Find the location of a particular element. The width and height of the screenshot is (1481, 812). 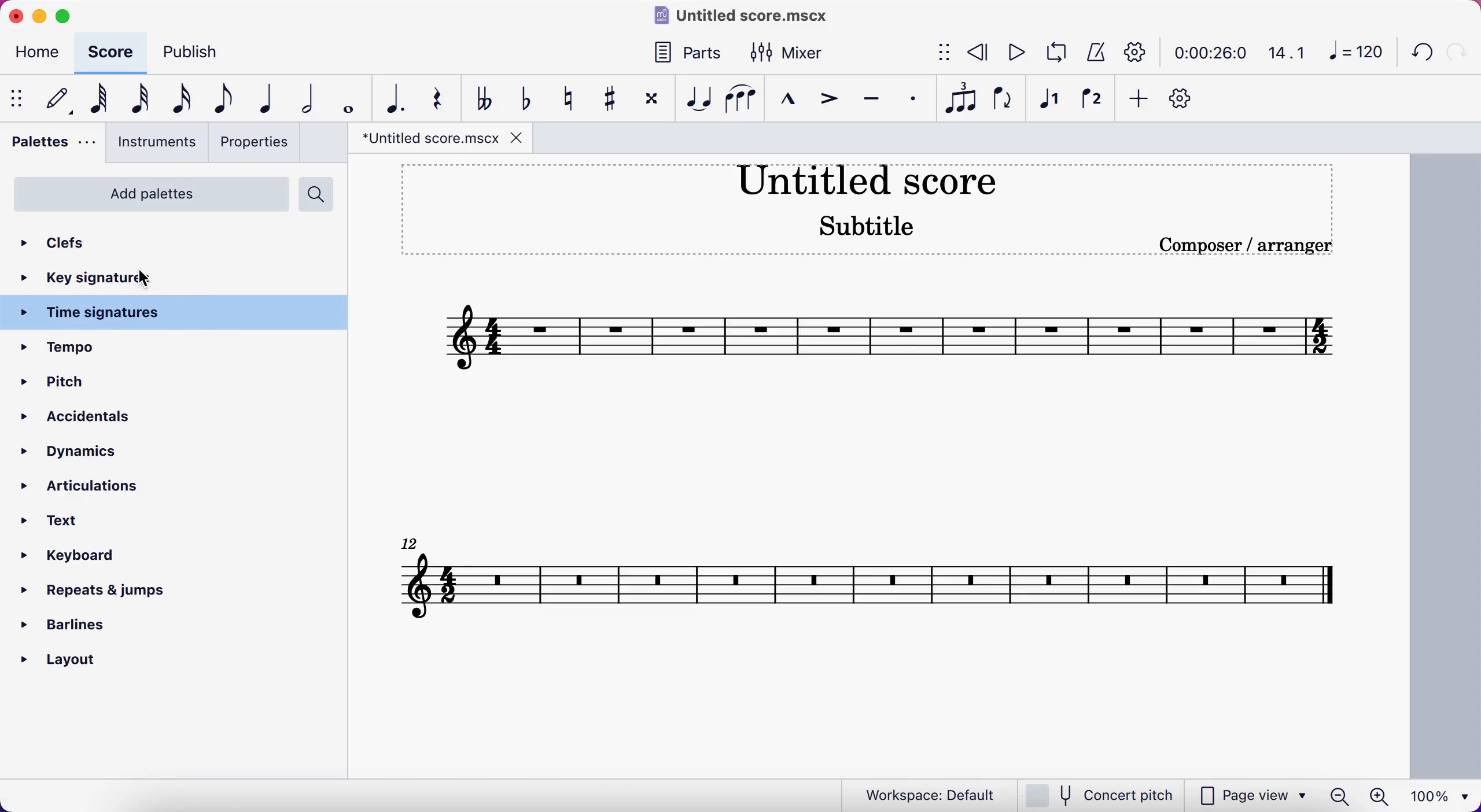

16th note is located at coordinates (182, 100).